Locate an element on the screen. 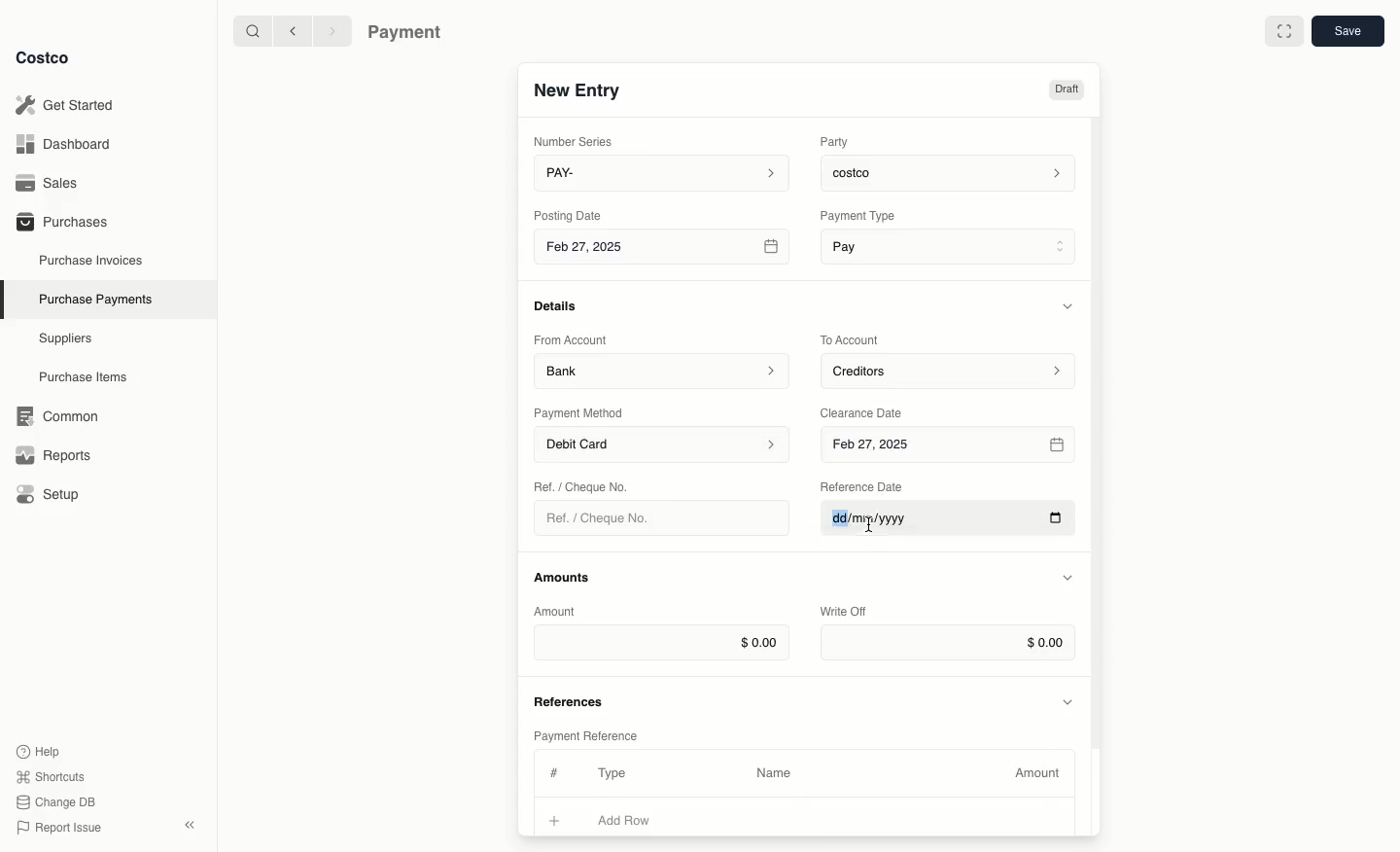 This screenshot has height=852, width=1400. Details is located at coordinates (561, 305).